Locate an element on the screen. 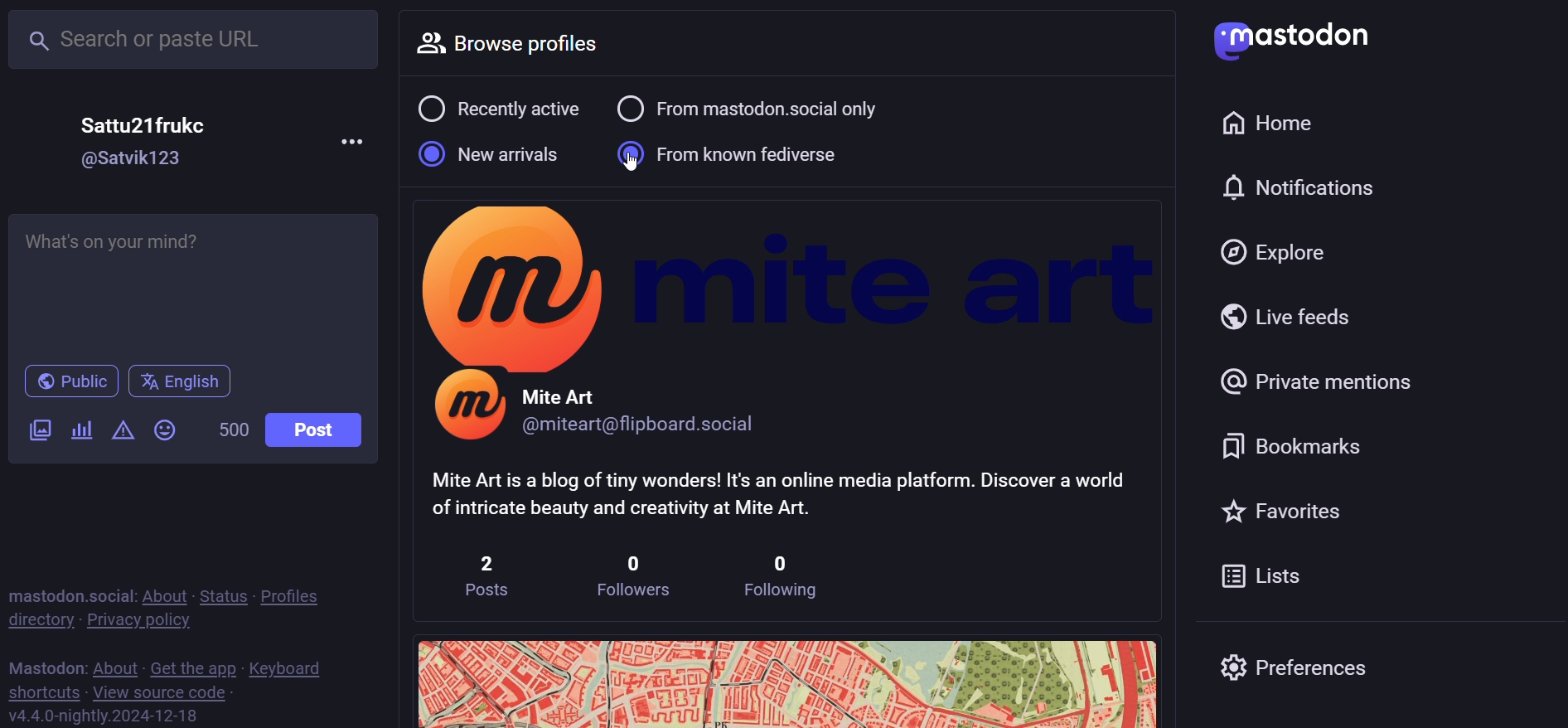 The image size is (1568, 728). mastodon is located at coordinates (1293, 40).